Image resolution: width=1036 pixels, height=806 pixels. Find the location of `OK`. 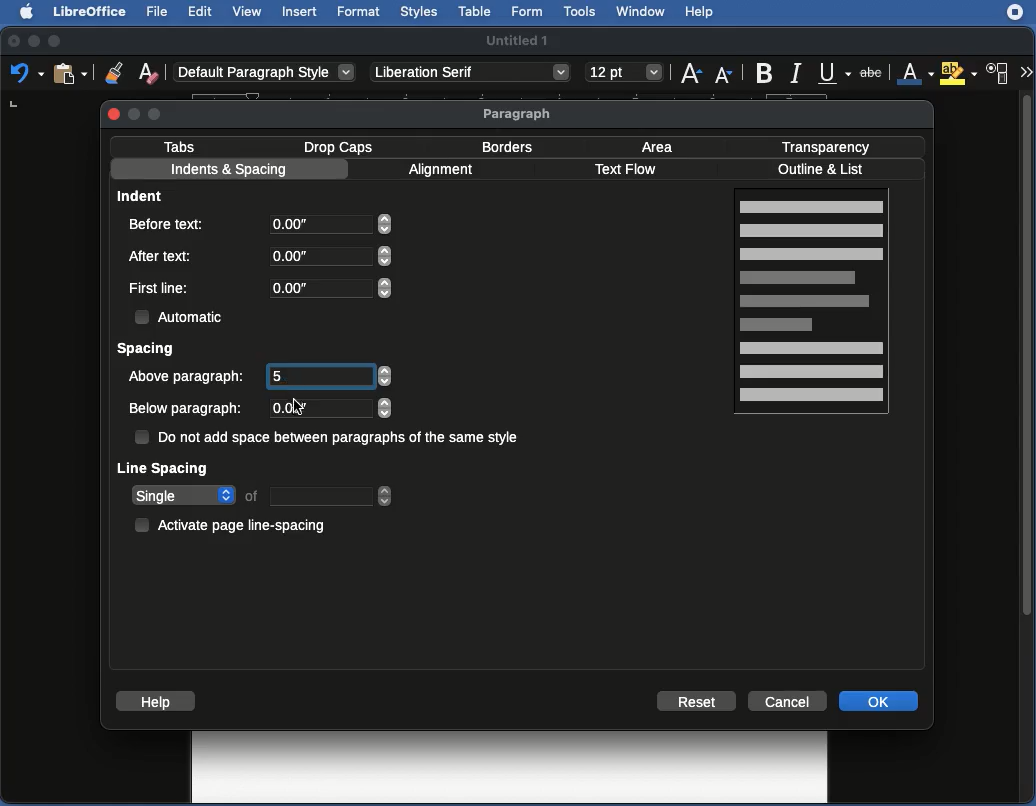

OK is located at coordinates (881, 701).